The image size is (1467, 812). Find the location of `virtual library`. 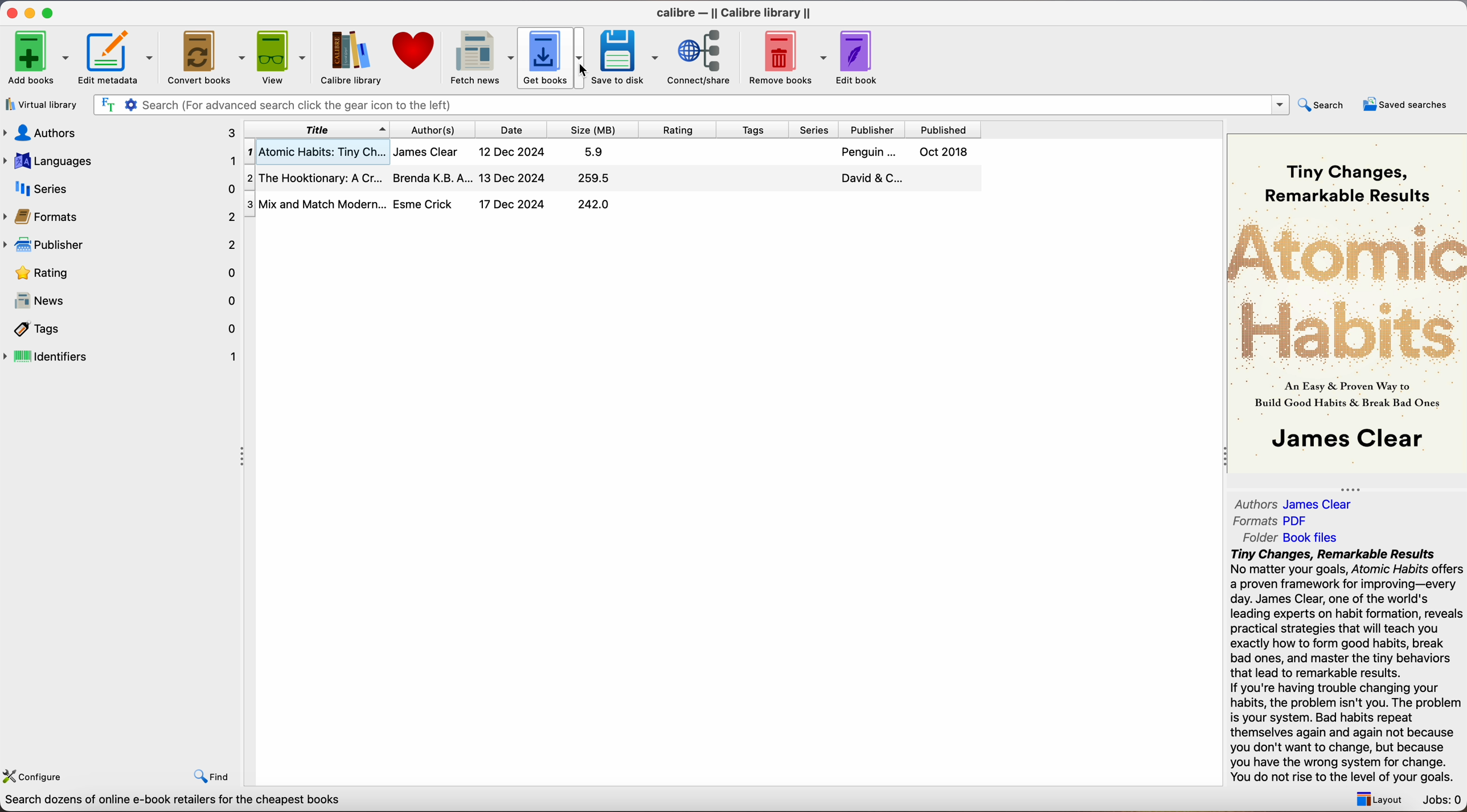

virtual library is located at coordinates (42, 106).